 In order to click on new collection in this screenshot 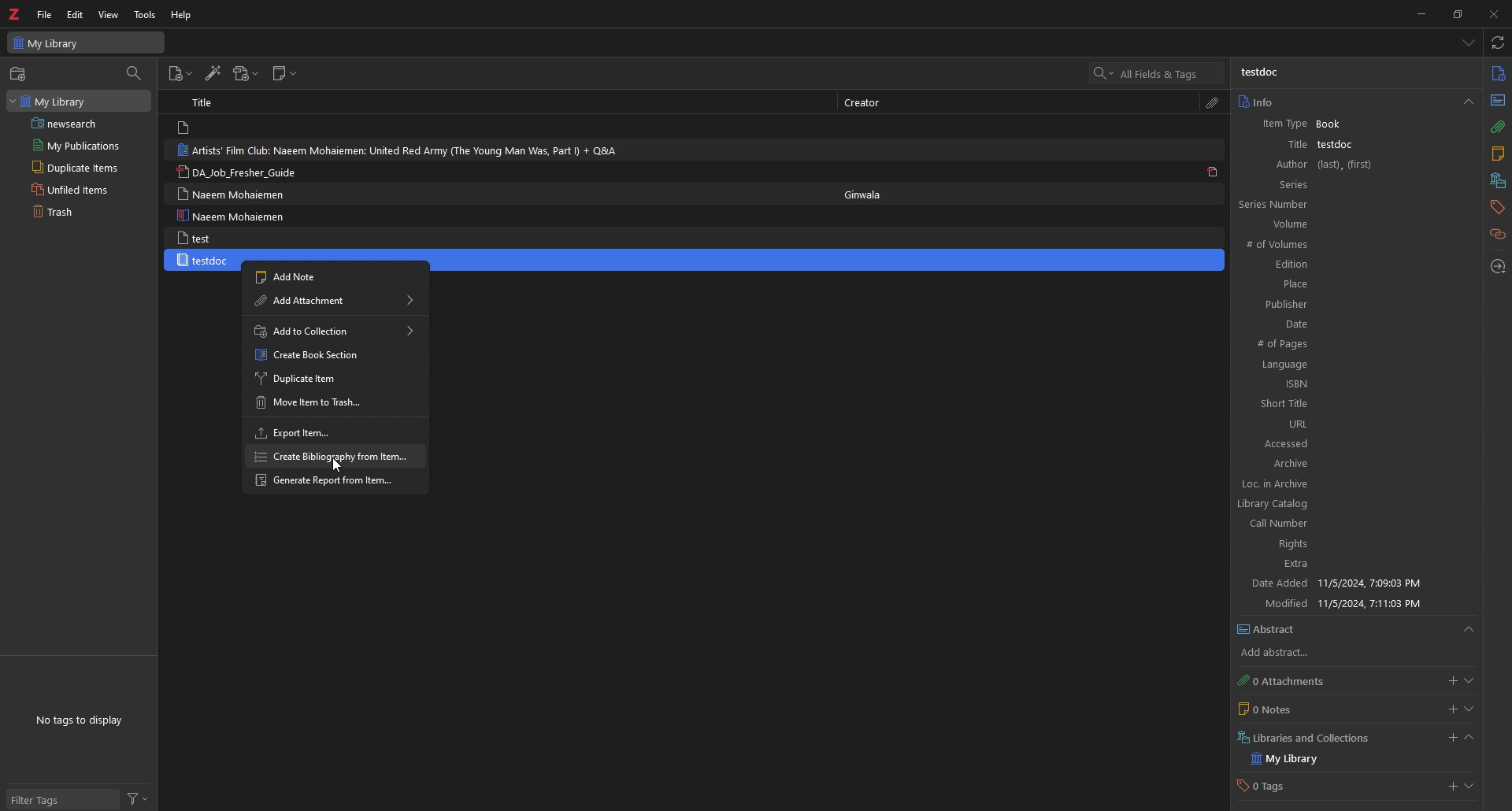, I will do `click(20, 74)`.